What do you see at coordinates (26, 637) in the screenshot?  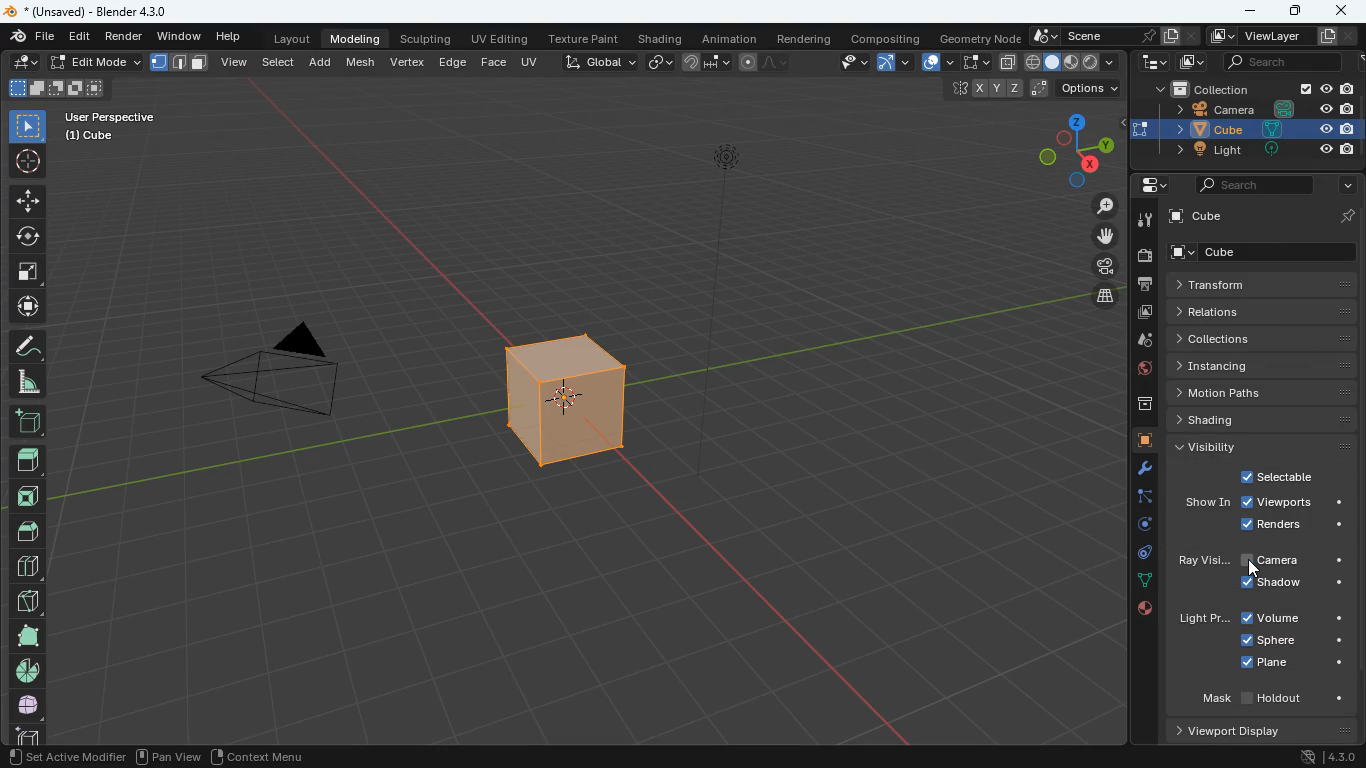 I see `full` at bounding box center [26, 637].